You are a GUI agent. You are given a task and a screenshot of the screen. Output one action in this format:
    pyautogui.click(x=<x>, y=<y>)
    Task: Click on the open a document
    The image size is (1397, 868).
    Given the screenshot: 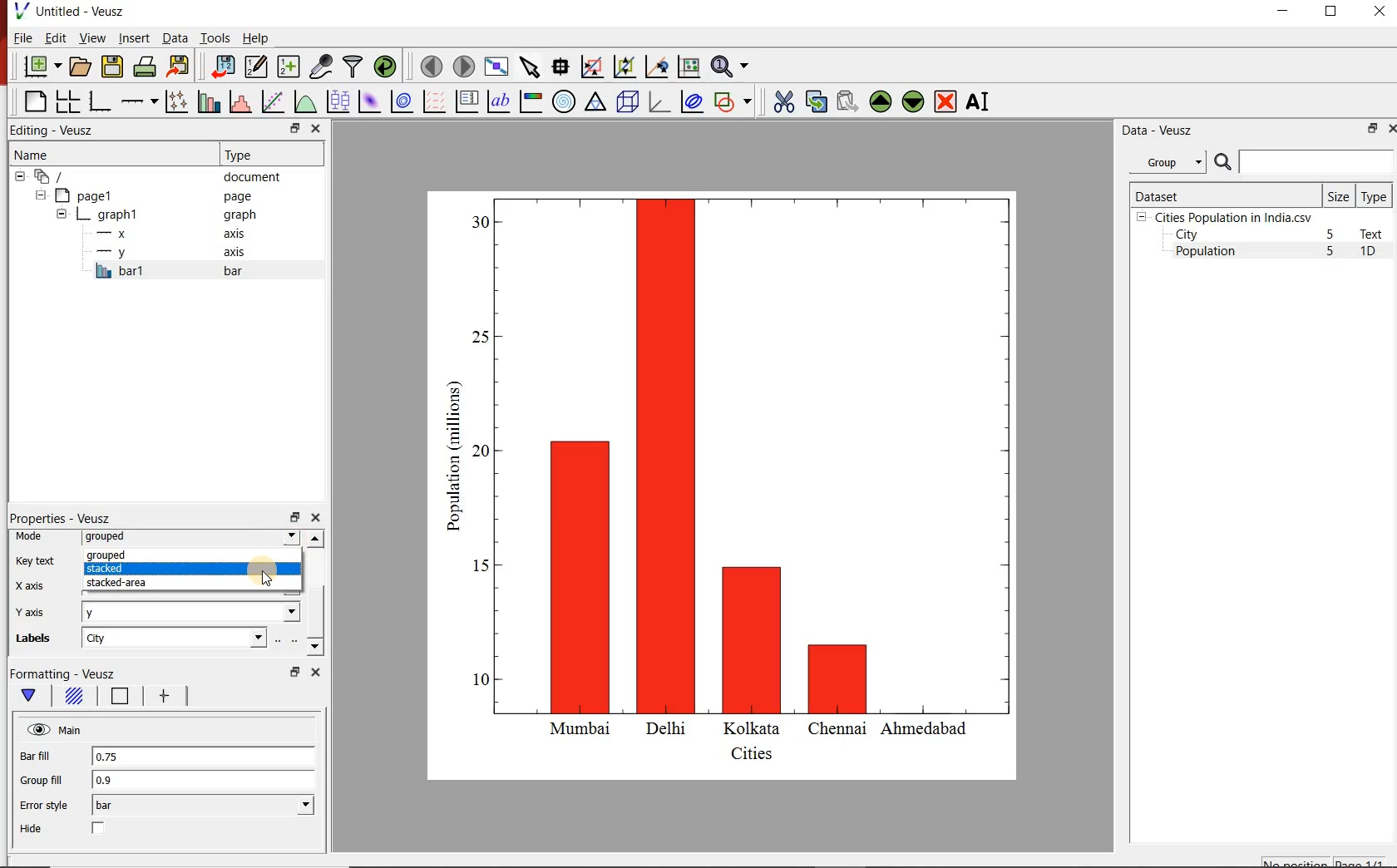 What is the action you would take?
    pyautogui.click(x=79, y=67)
    